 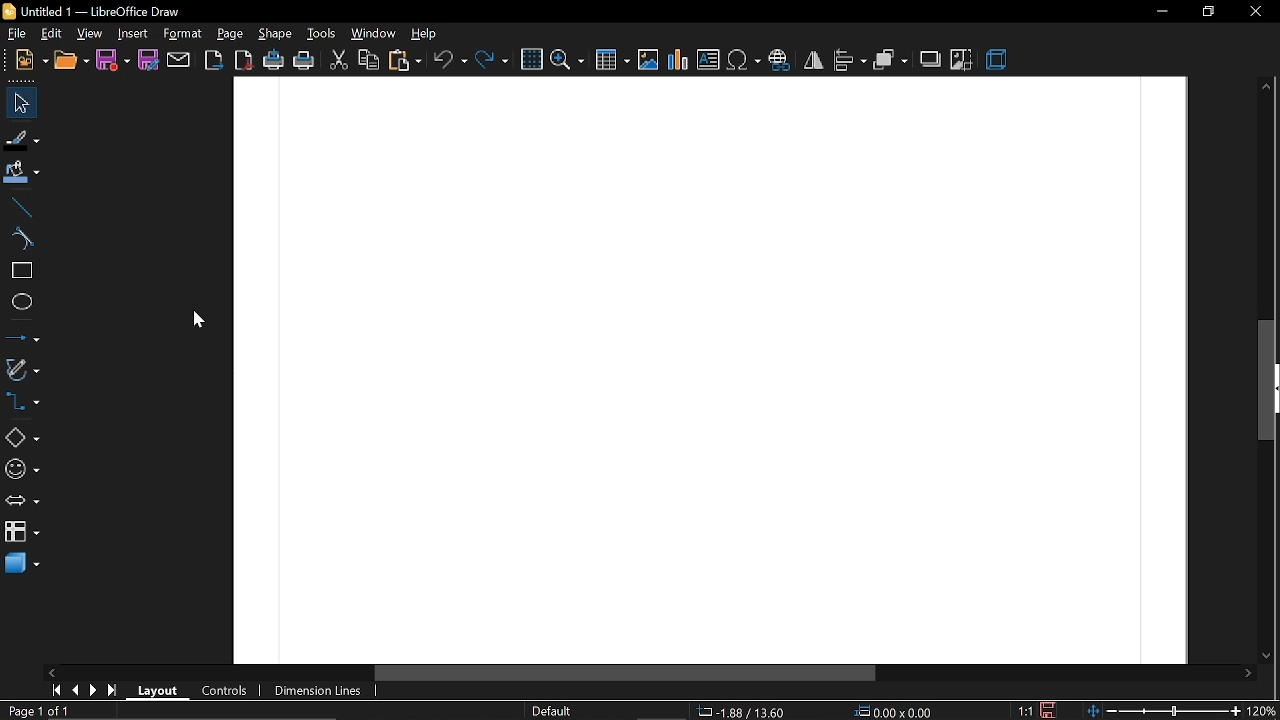 I want to click on undo, so click(x=449, y=61).